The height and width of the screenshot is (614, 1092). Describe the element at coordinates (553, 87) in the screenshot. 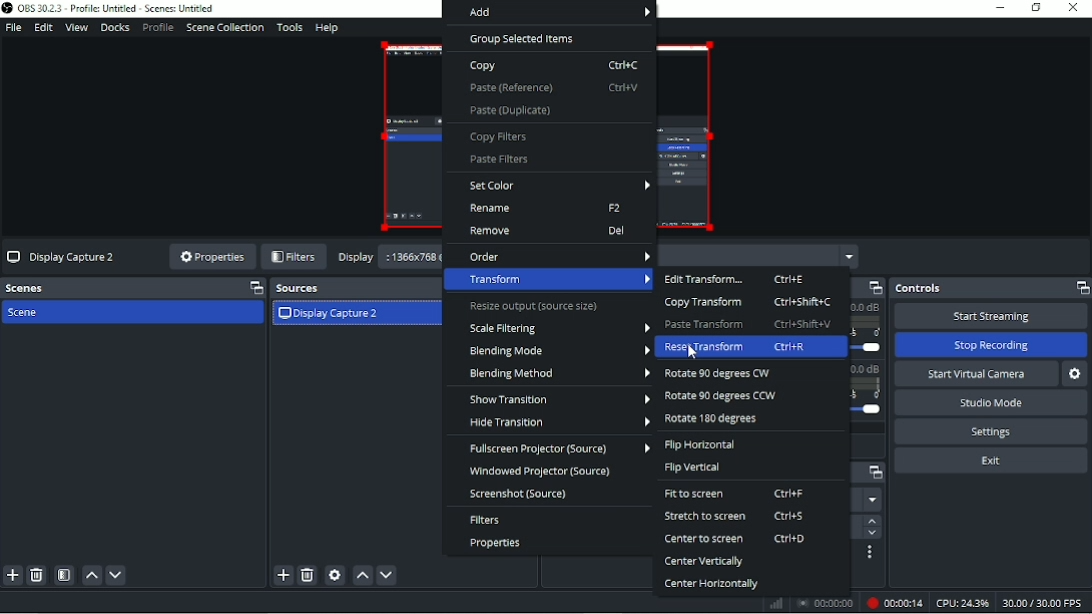

I see `Paste (Reference)` at that location.